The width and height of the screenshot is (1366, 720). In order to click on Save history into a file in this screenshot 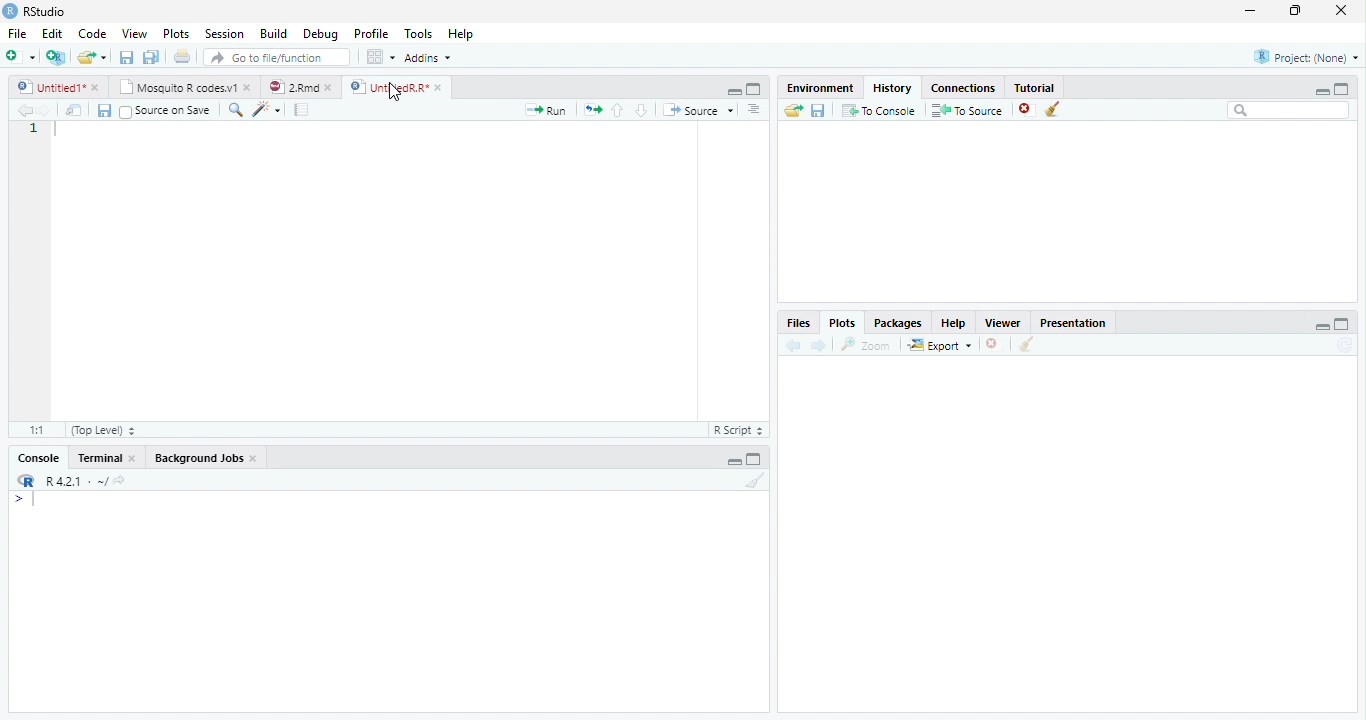, I will do `click(818, 110)`.